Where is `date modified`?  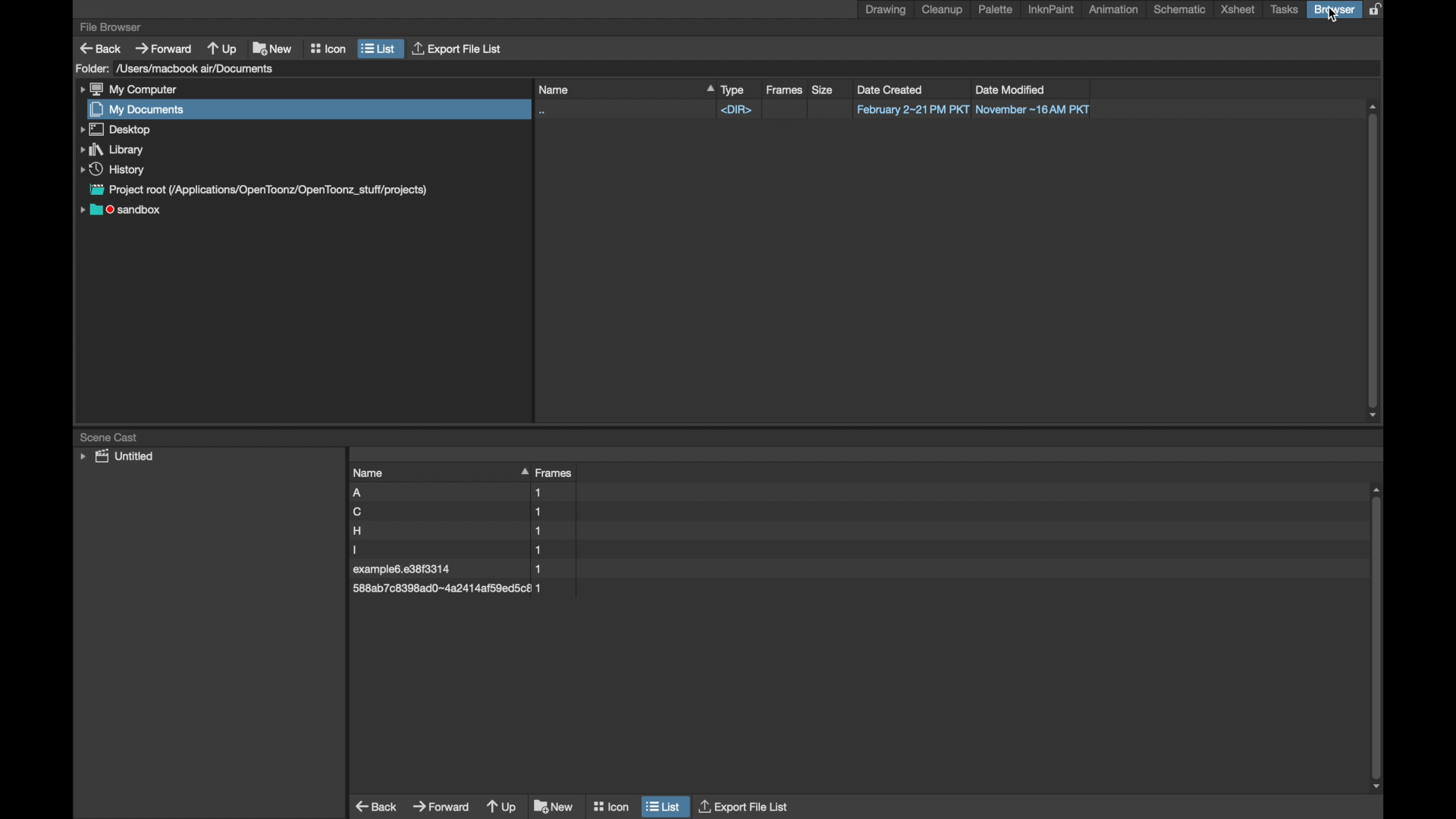 date modified is located at coordinates (1017, 88).